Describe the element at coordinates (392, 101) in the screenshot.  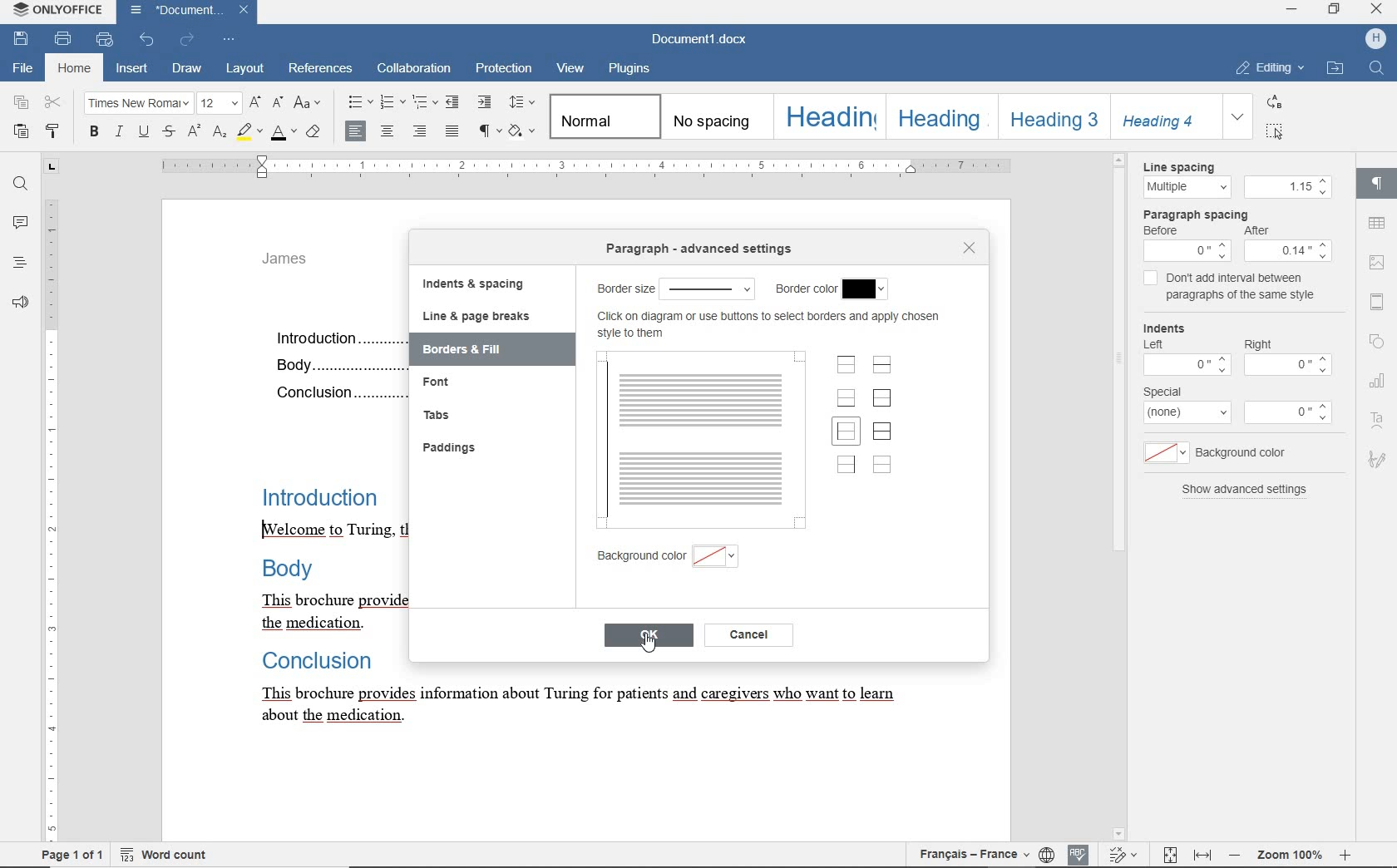
I see `numbering` at that location.